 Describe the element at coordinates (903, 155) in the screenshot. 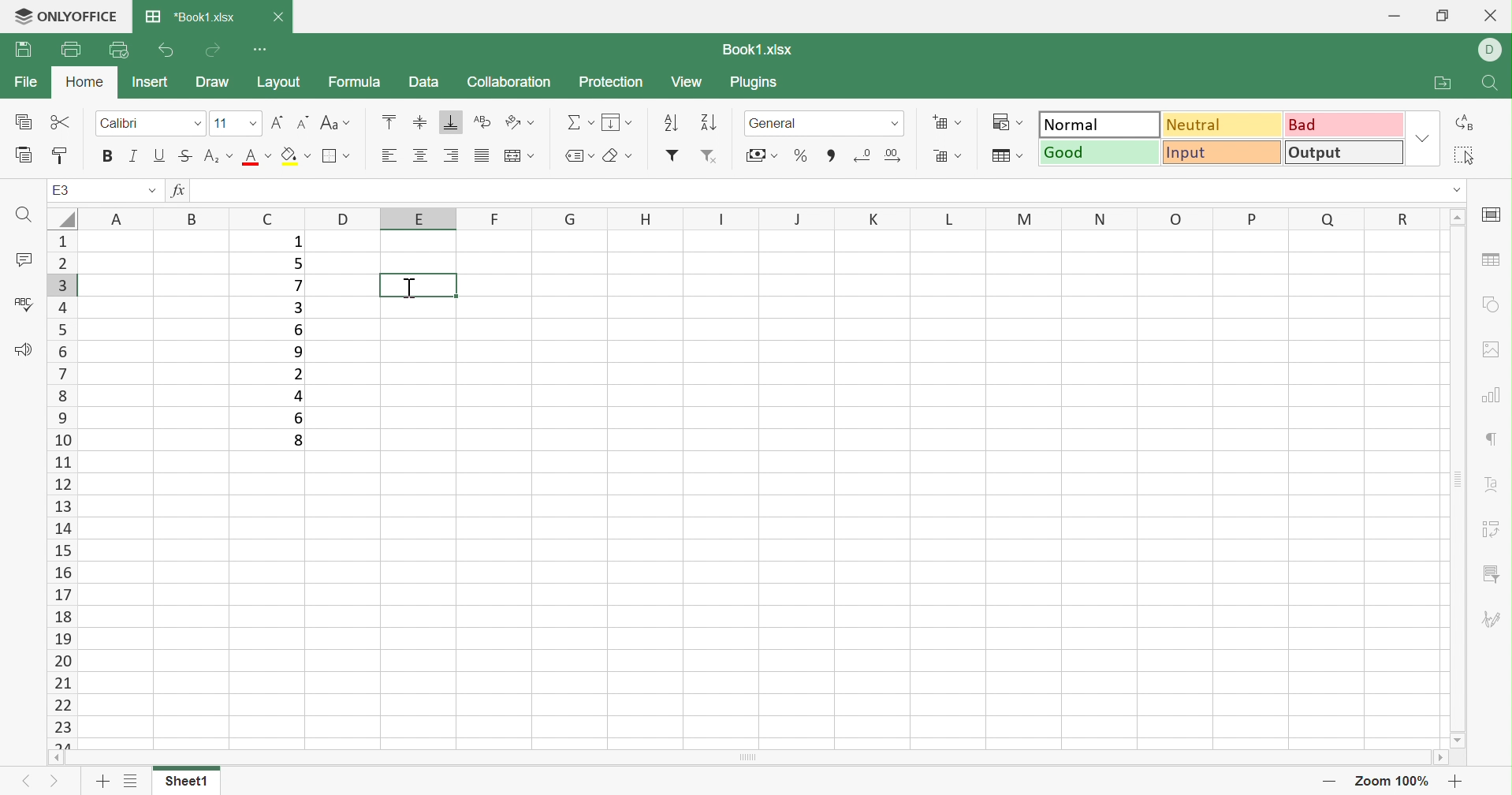

I see `Increase decimals` at that location.